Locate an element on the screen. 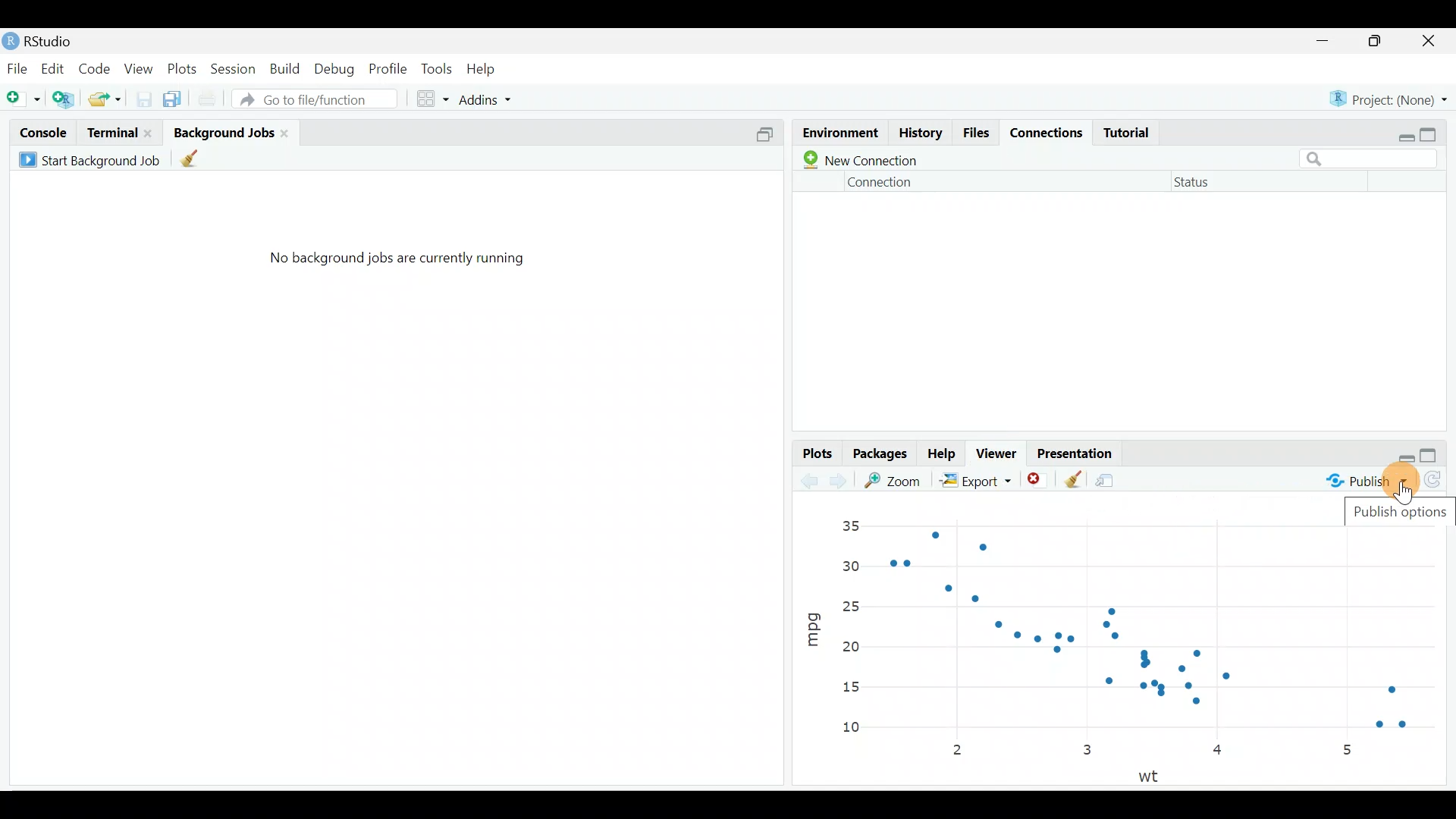 This screenshot has width=1456, height=819. Session is located at coordinates (235, 67).